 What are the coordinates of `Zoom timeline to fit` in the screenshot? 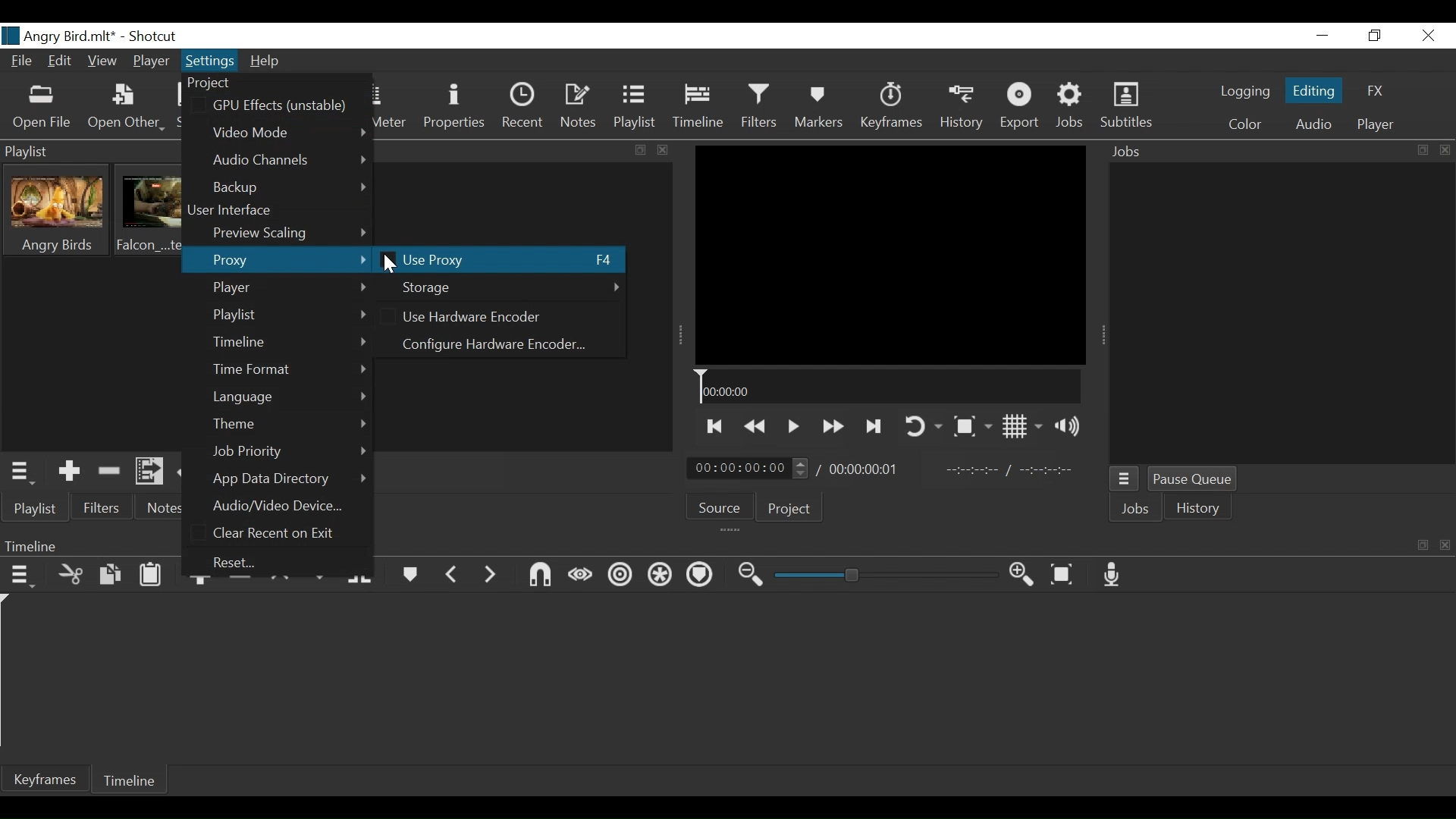 It's located at (1063, 574).